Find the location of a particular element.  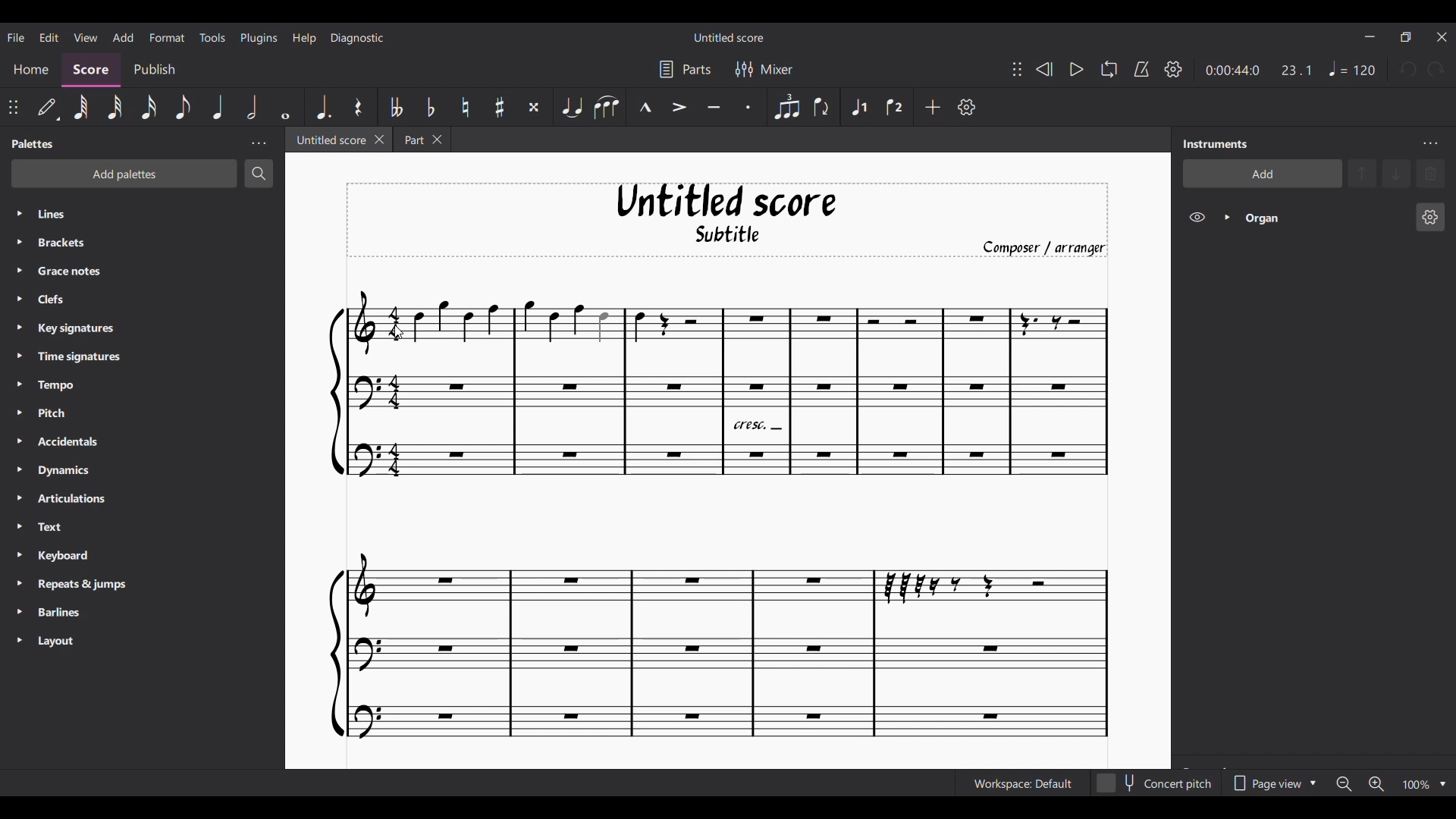

Format menu is located at coordinates (167, 37).